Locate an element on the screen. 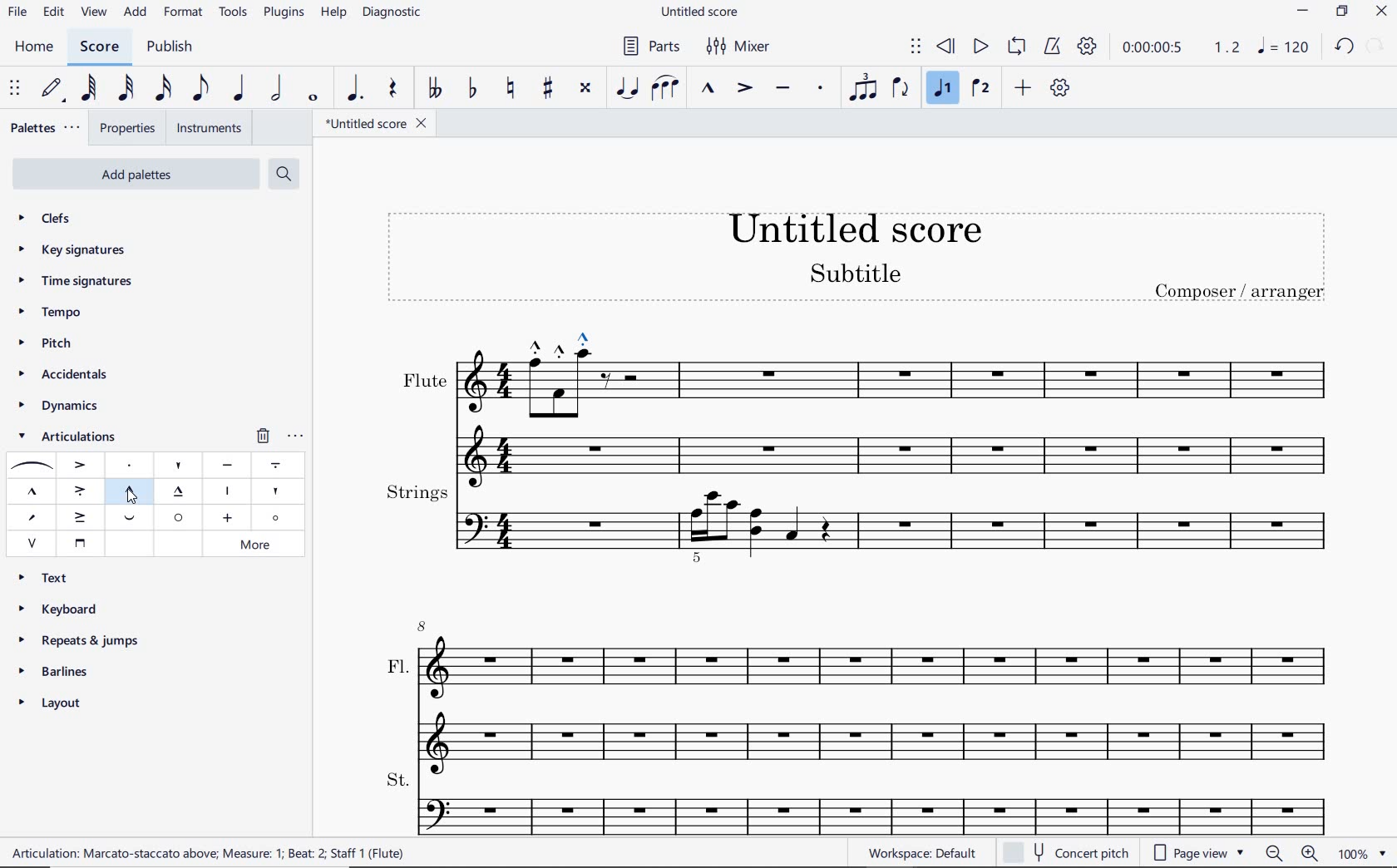  STACCATISSIMO WEDGE ABOVE is located at coordinates (274, 491).